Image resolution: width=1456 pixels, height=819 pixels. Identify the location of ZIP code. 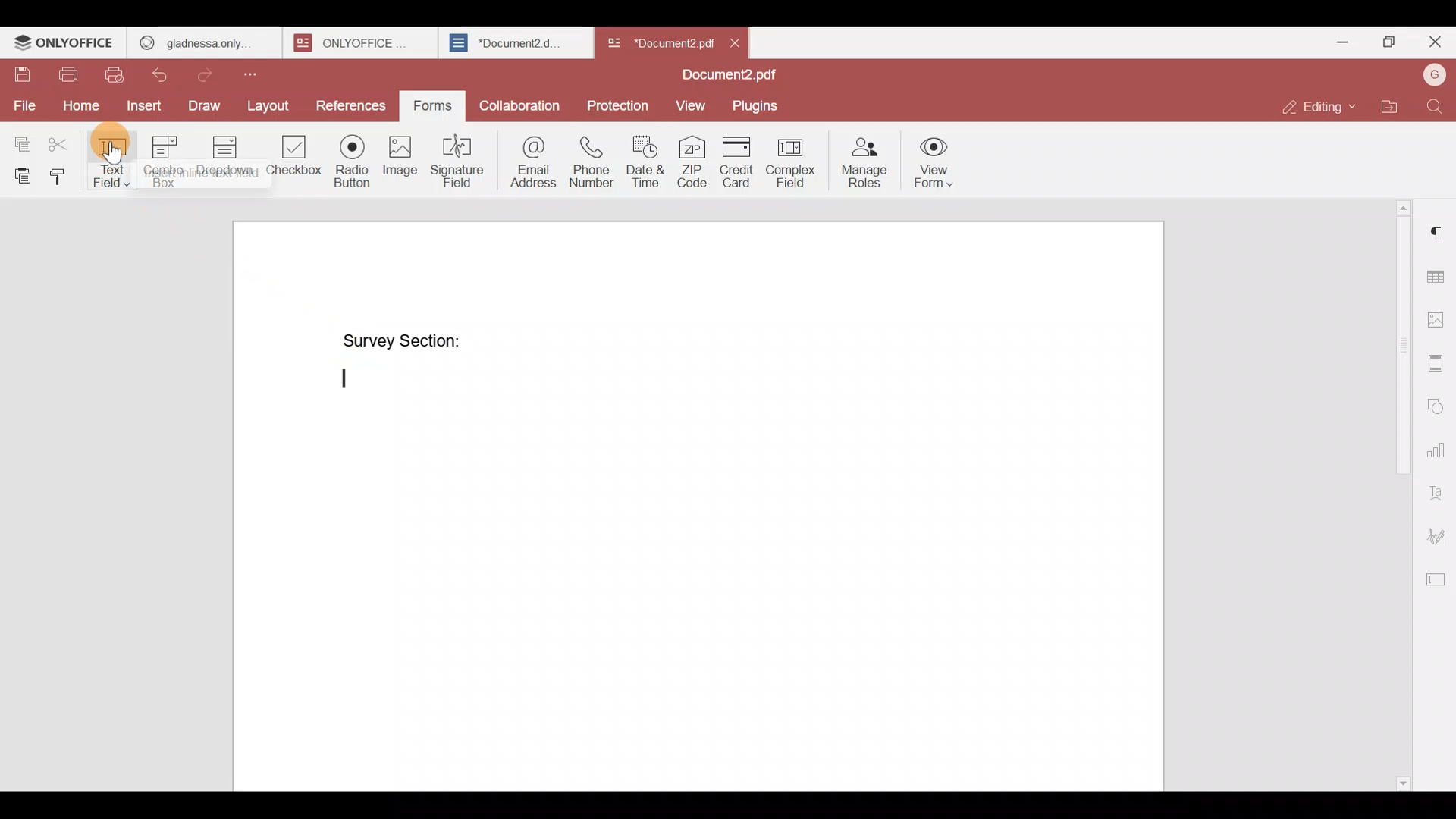
(695, 160).